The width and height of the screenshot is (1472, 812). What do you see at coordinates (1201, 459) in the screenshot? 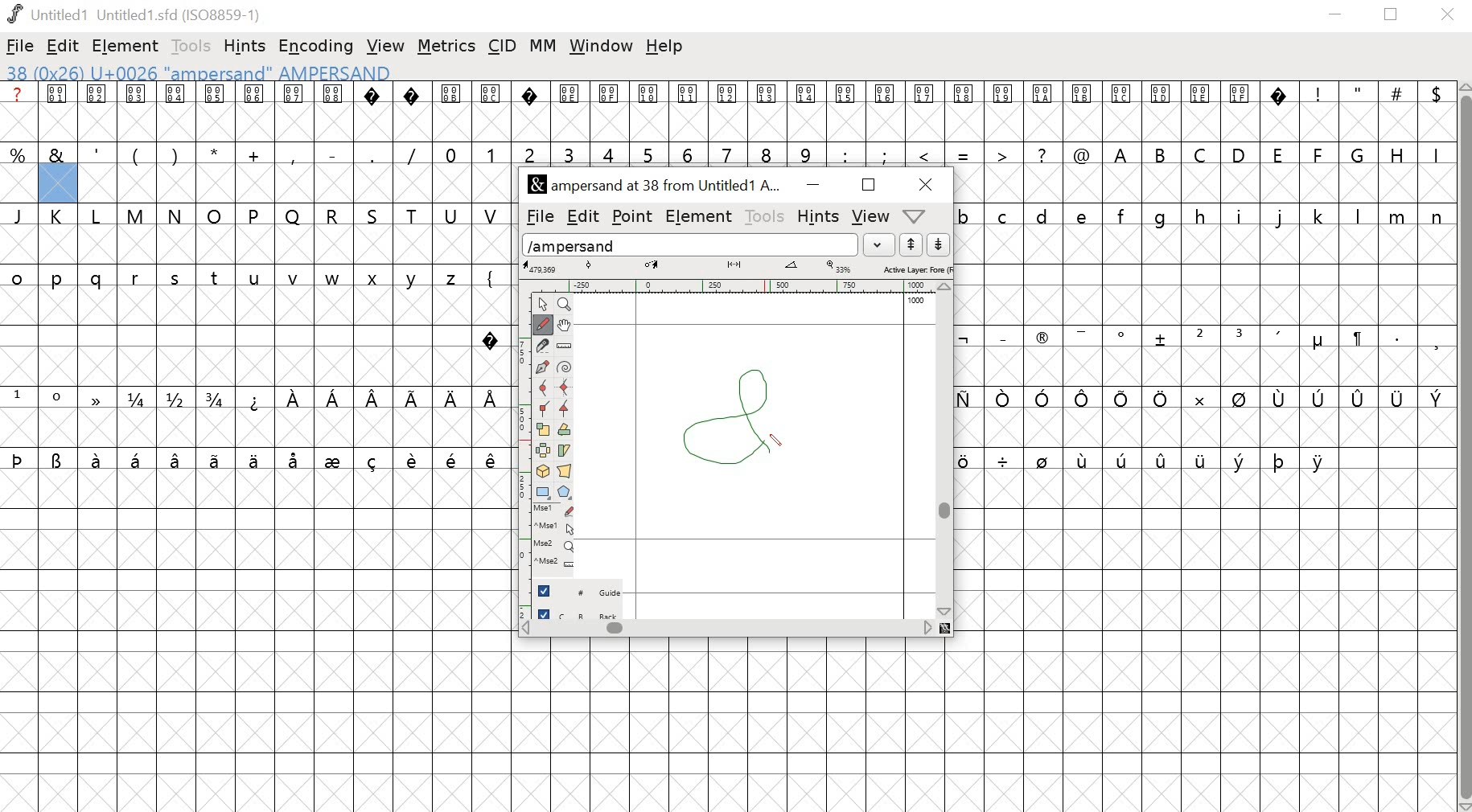
I see `symbol` at bounding box center [1201, 459].